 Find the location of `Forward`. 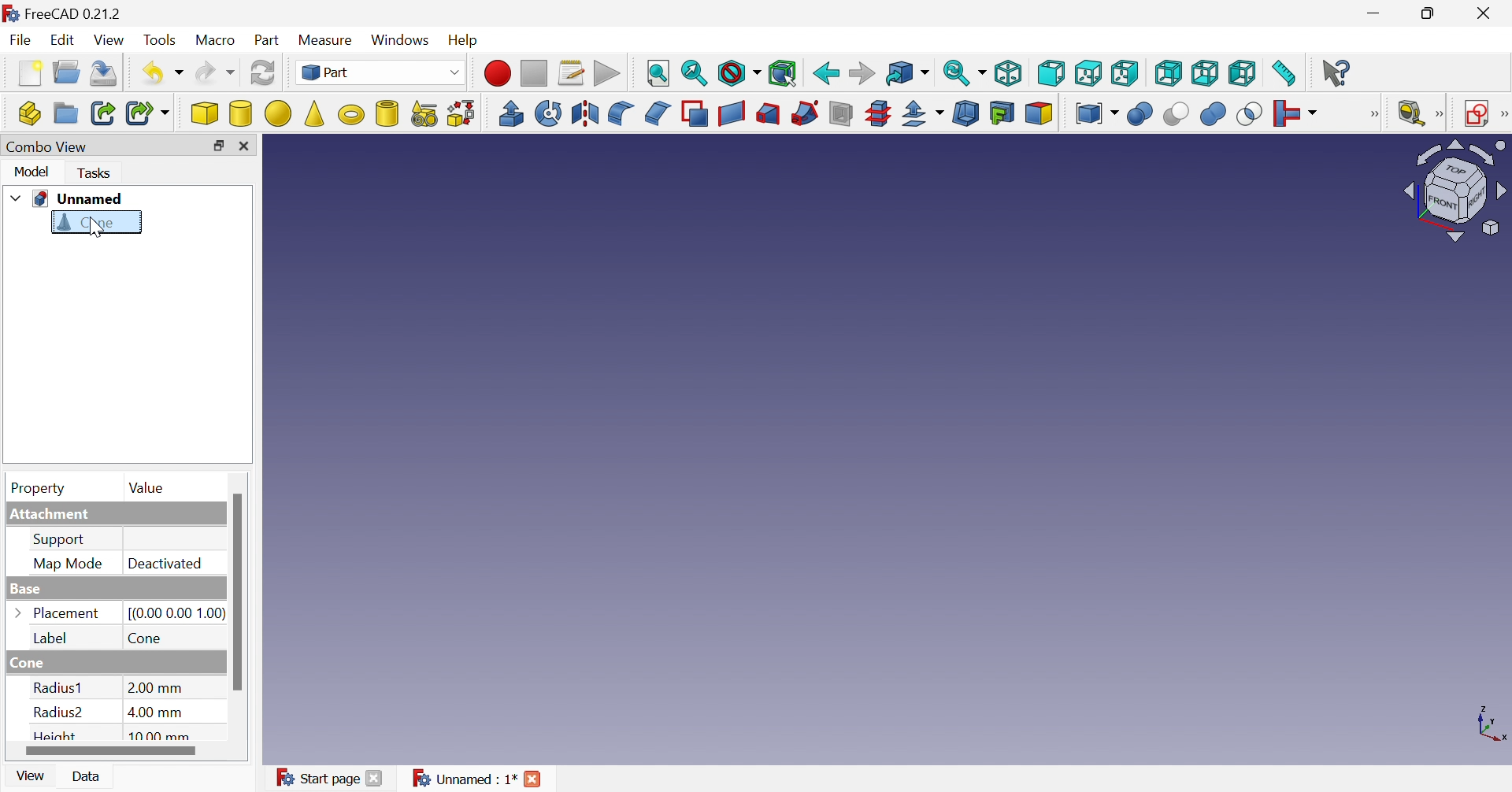

Forward is located at coordinates (863, 71).